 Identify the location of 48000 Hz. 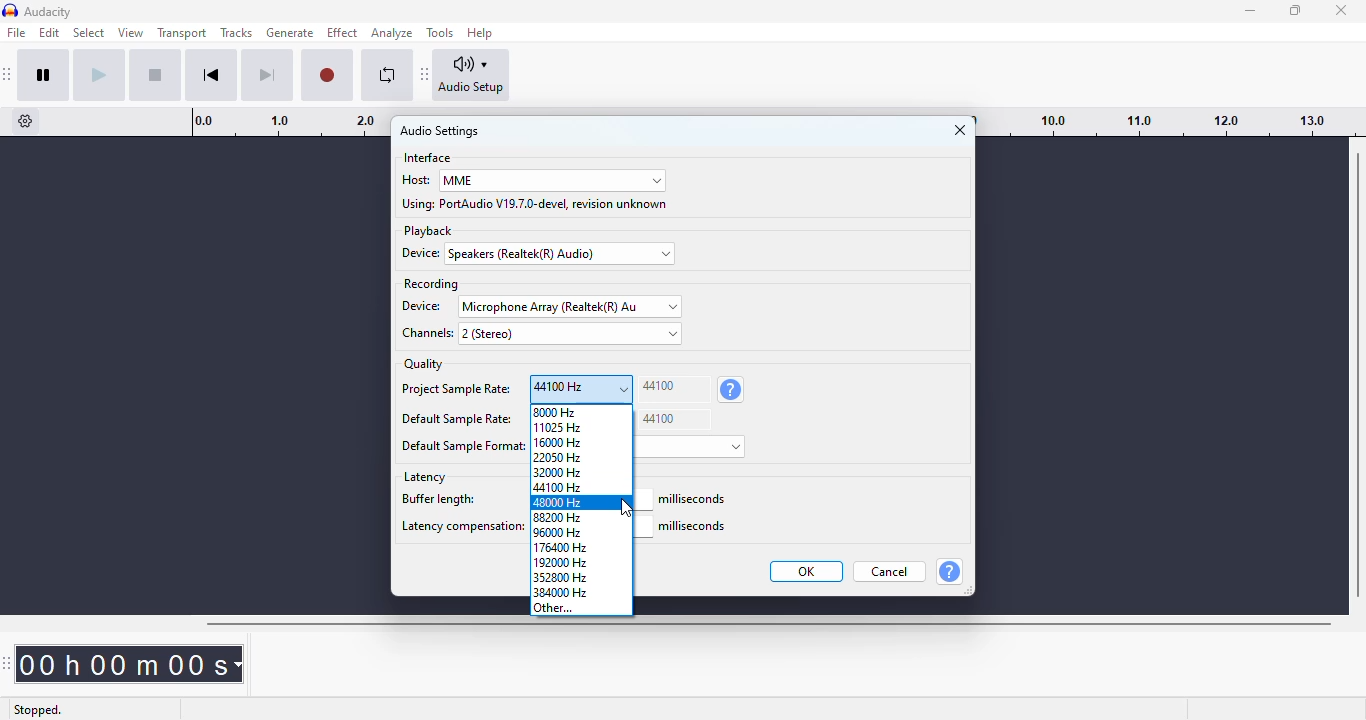
(581, 503).